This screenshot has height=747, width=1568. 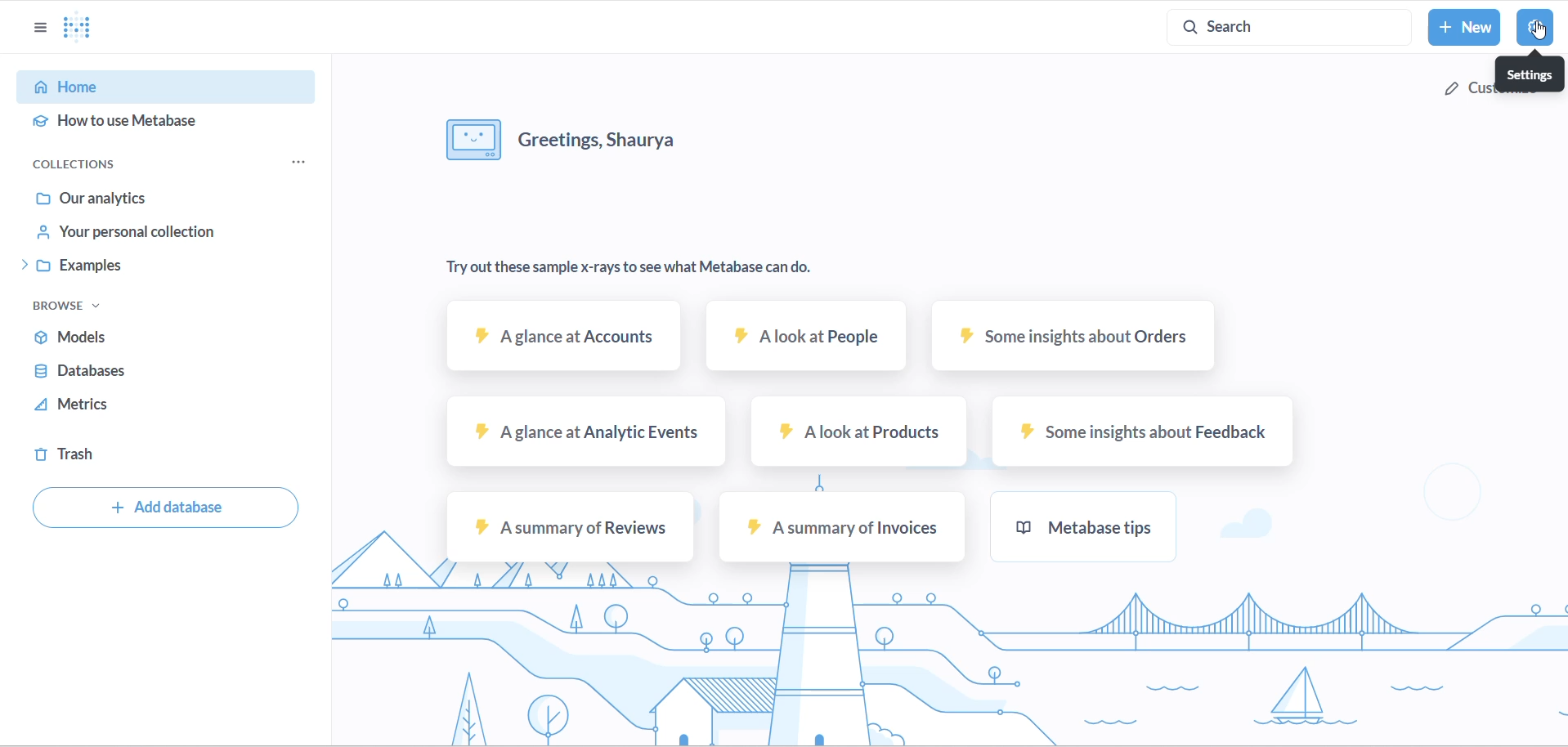 What do you see at coordinates (632, 268) in the screenshot?
I see `Try out these sample x-rays to see what Metabase can do.` at bounding box center [632, 268].